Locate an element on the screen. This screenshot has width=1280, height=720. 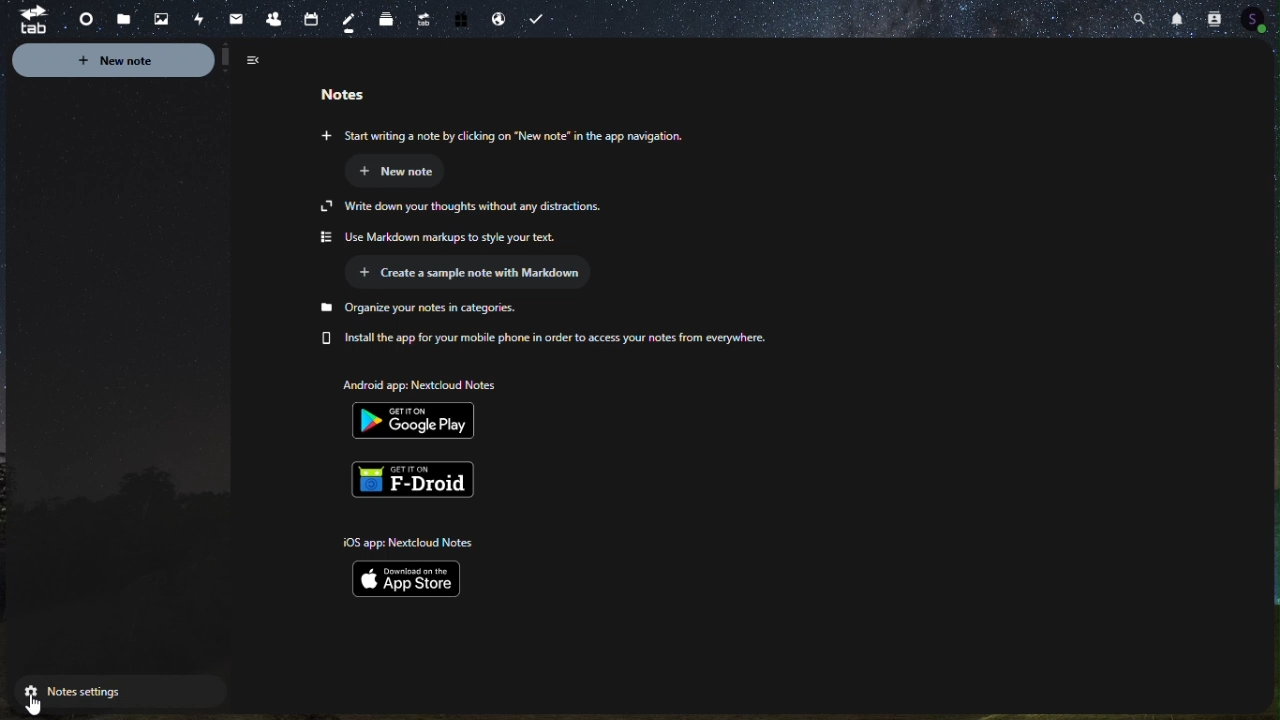
Activity is located at coordinates (202, 18).